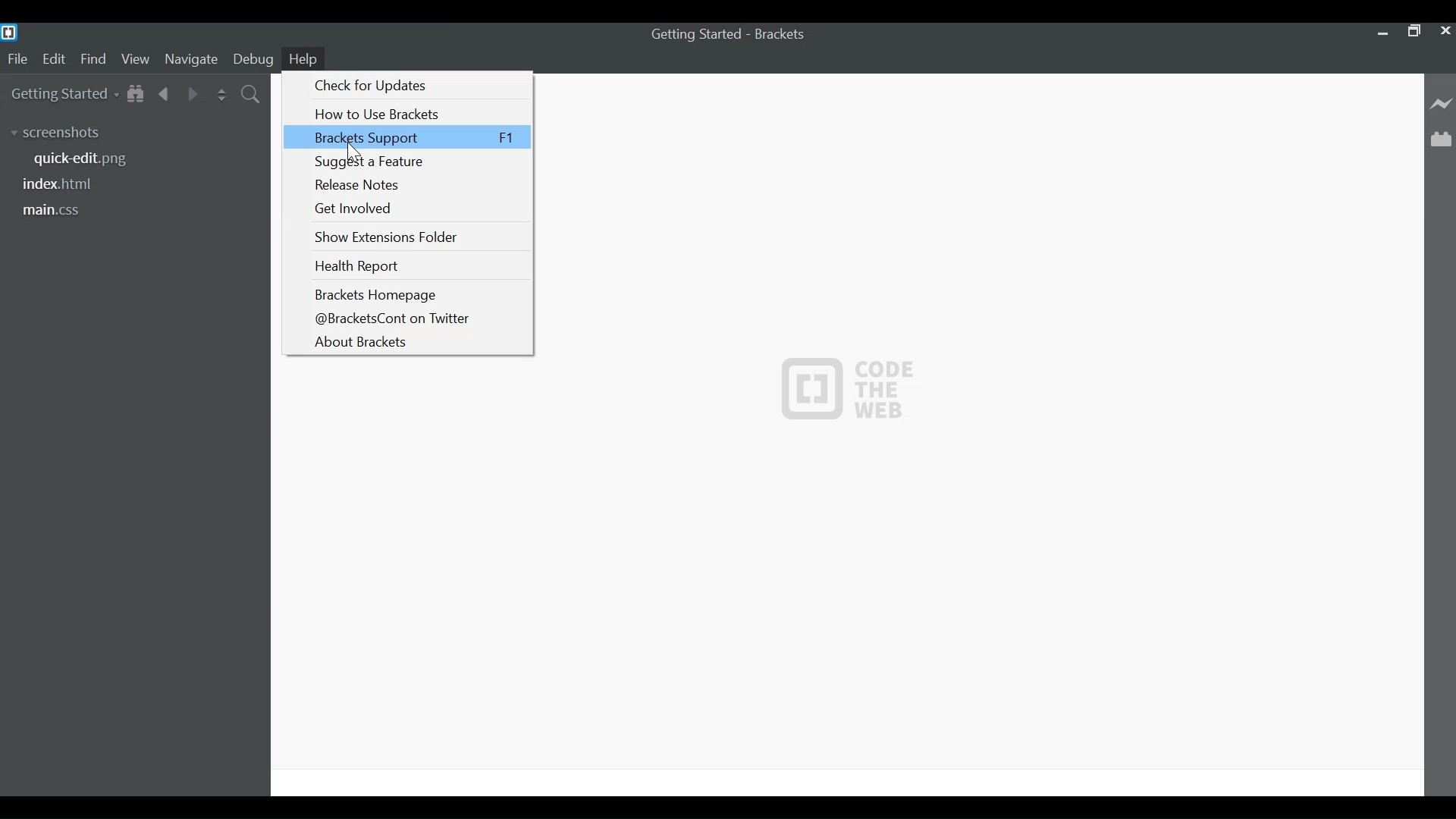 The image size is (1456, 819). I want to click on Health Report, so click(416, 267).